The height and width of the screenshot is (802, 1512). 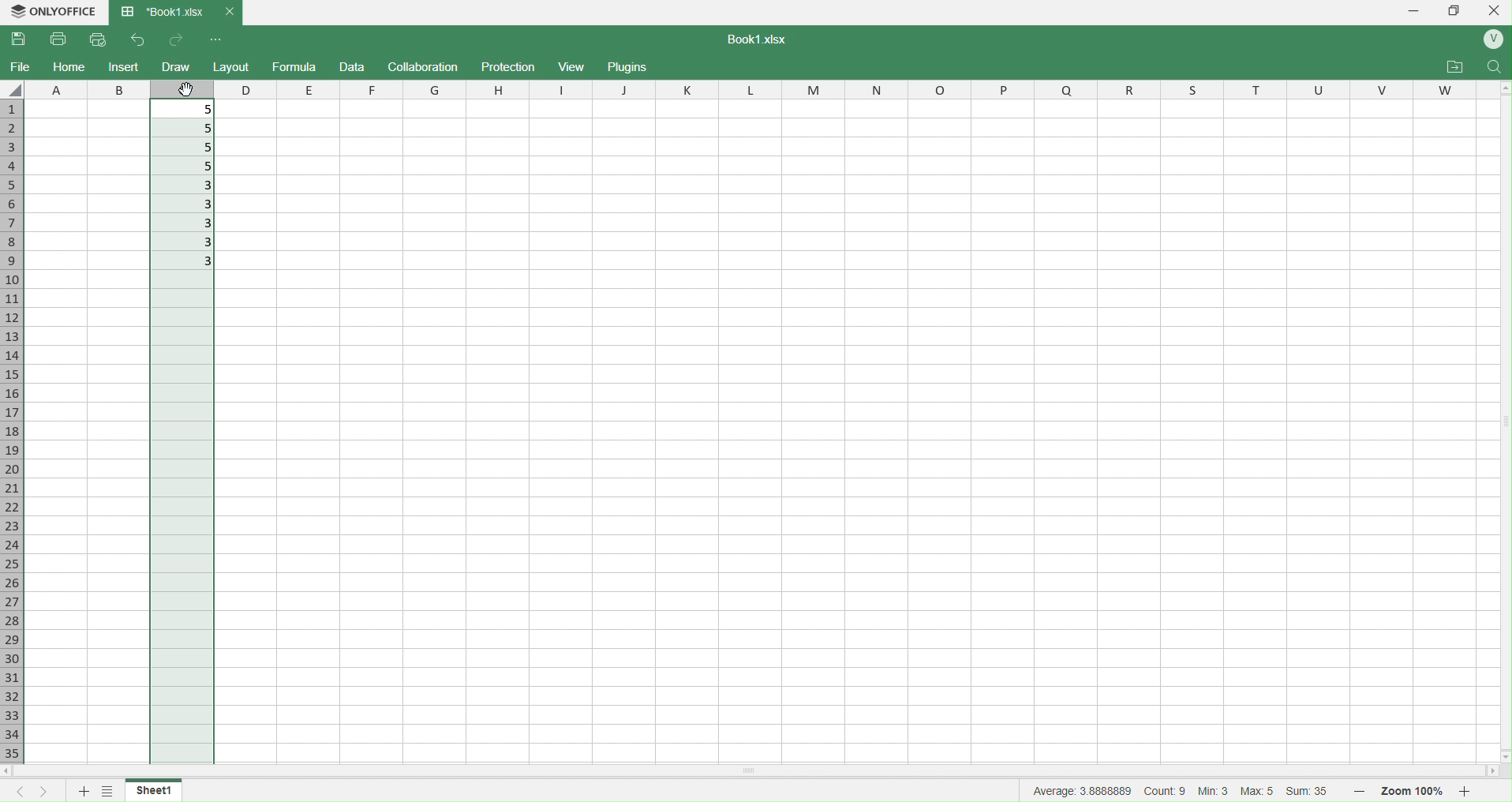 What do you see at coordinates (1501, 415) in the screenshot?
I see `Scrollbar` at bounding box center [1501, 415].